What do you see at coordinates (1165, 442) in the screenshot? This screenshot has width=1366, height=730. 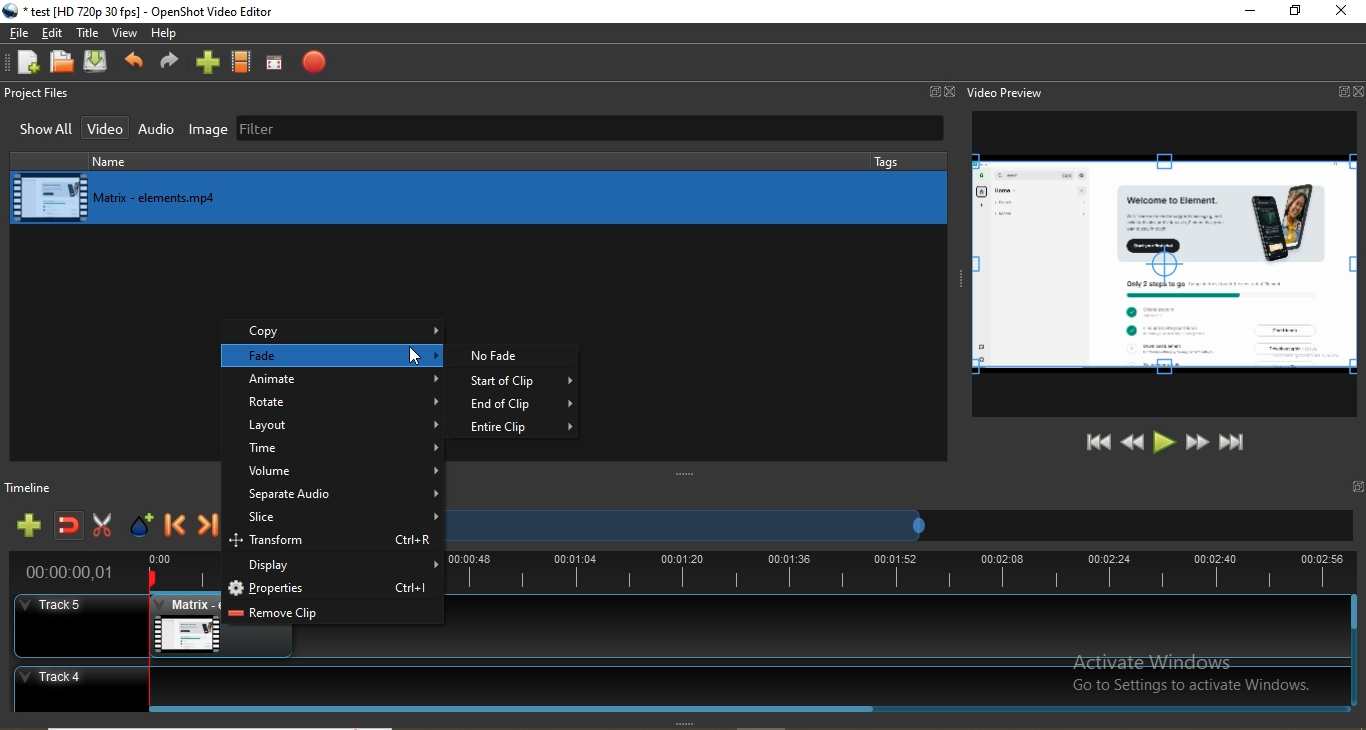 I see `Play` at bounding box center [1165, 442].